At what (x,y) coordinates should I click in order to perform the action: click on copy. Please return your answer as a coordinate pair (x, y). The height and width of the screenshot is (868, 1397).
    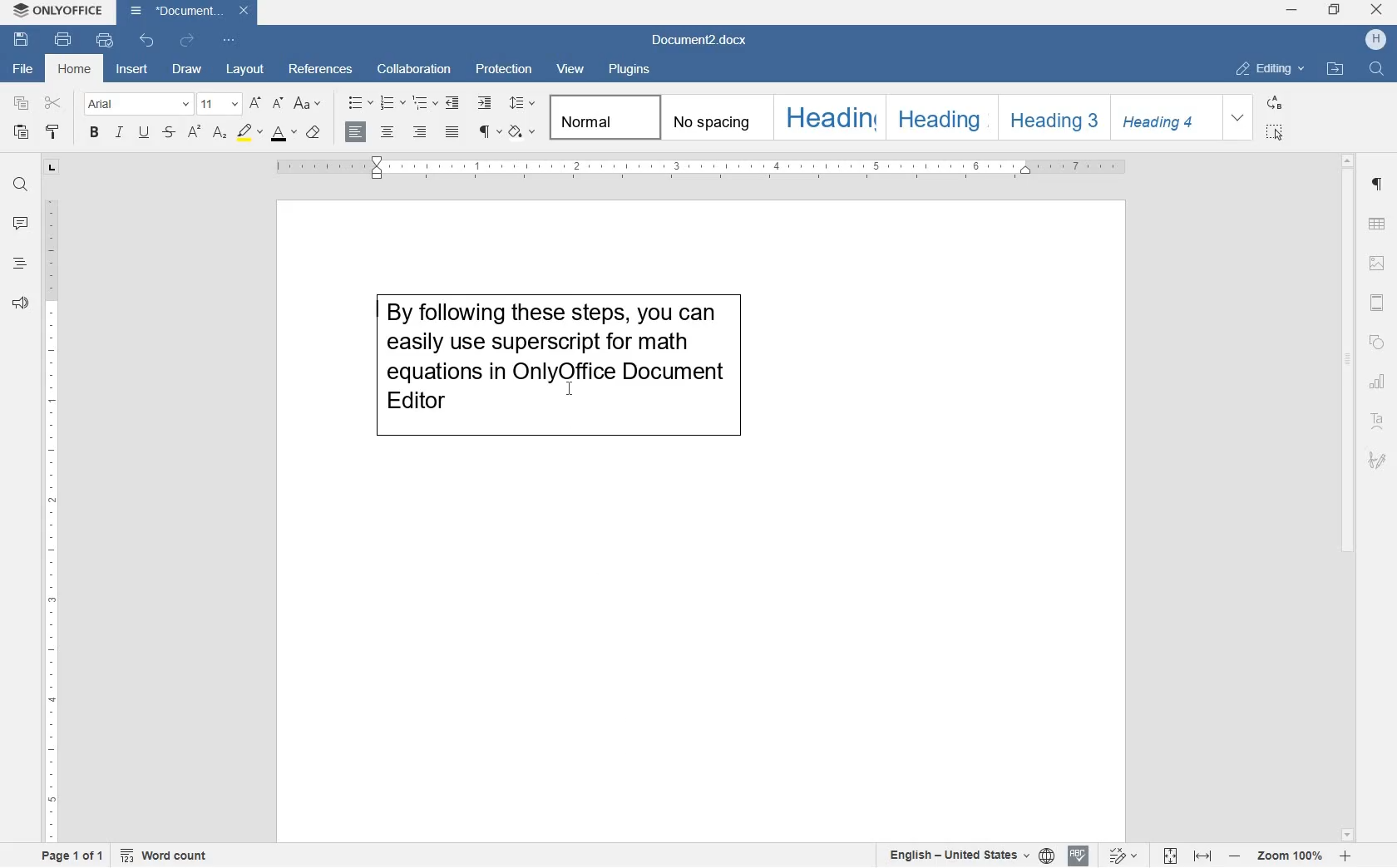
    Looking at the image, I should click on (22, 104).